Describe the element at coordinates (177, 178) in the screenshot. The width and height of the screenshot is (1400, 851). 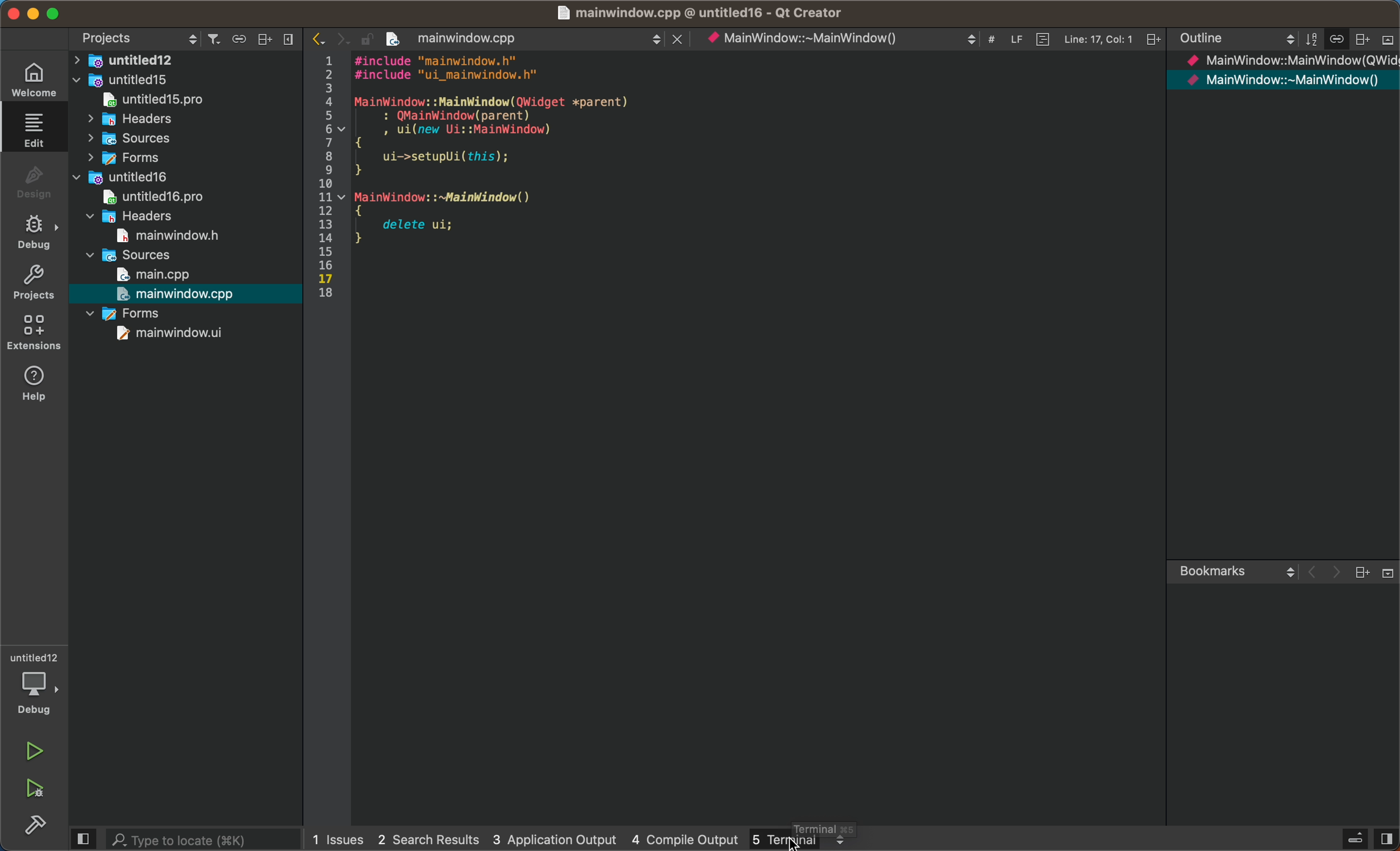
I see `file and folder` at that location.